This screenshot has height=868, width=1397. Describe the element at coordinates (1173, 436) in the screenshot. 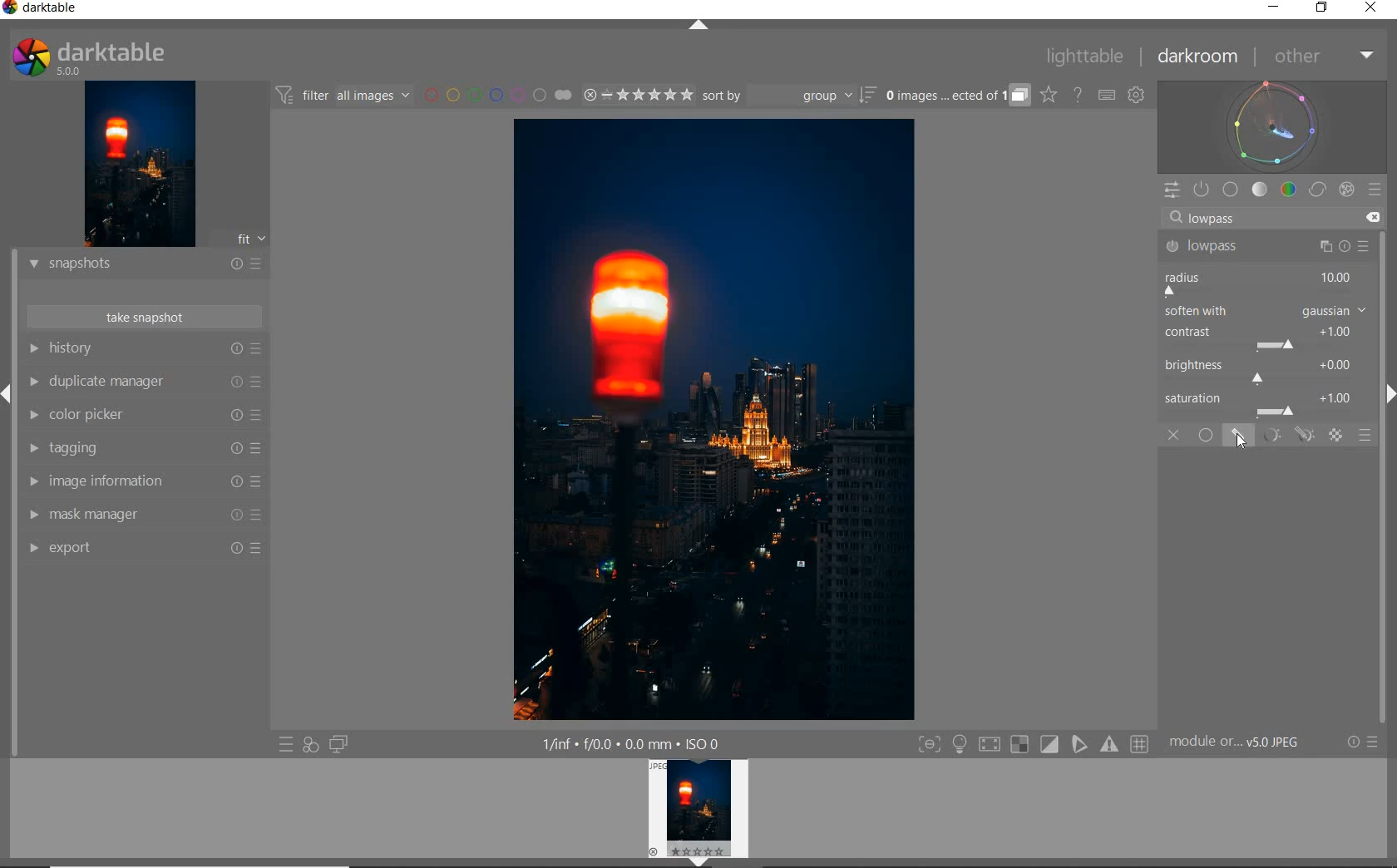

I see `OFF` at that location.